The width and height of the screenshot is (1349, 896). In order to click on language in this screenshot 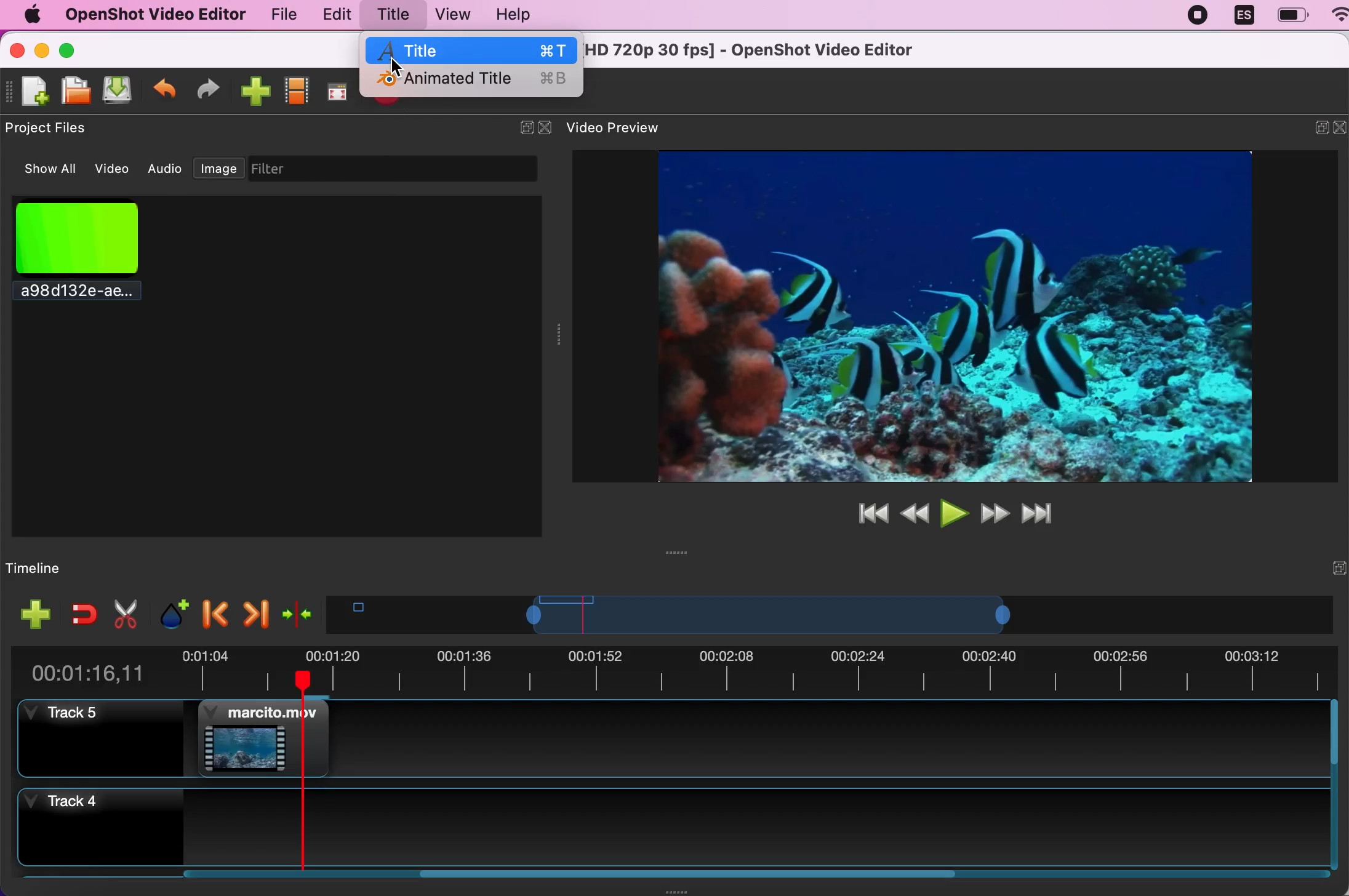, I will do `click(1244, 17)`.